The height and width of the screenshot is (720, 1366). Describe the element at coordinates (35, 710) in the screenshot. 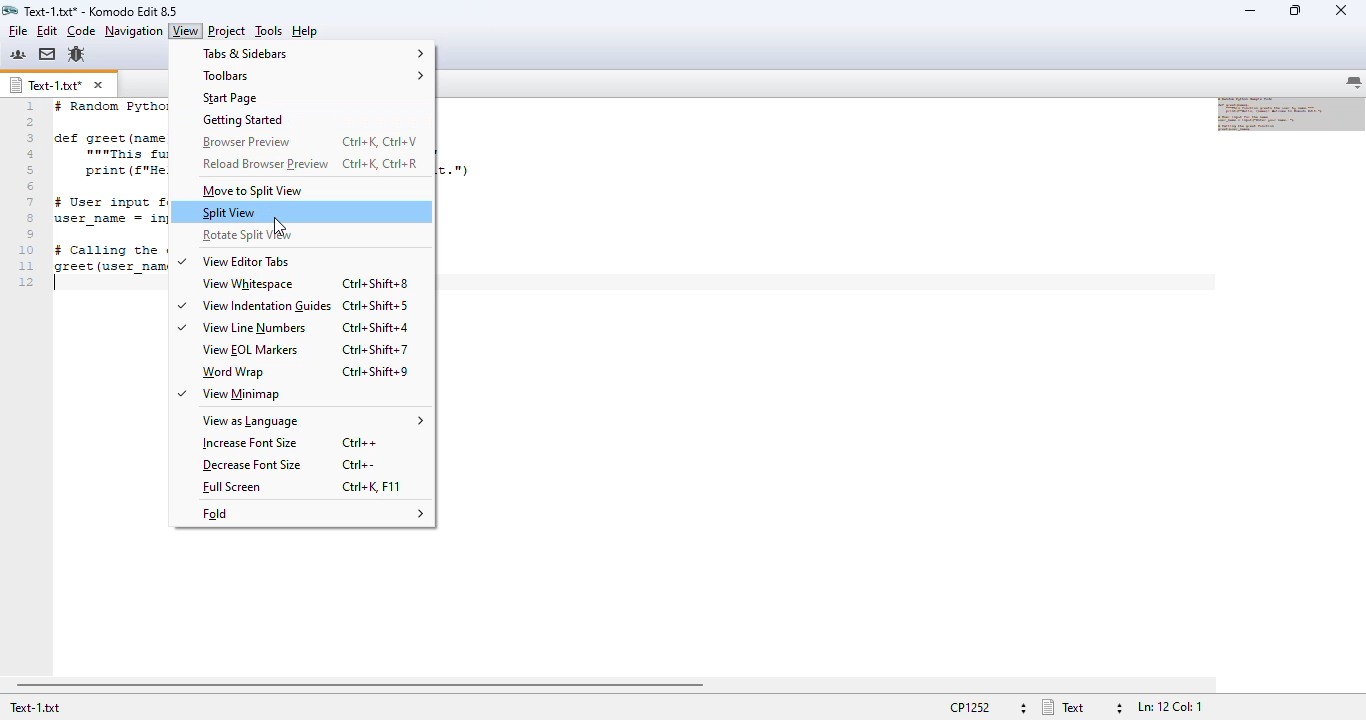

I see `text-1` at that location.